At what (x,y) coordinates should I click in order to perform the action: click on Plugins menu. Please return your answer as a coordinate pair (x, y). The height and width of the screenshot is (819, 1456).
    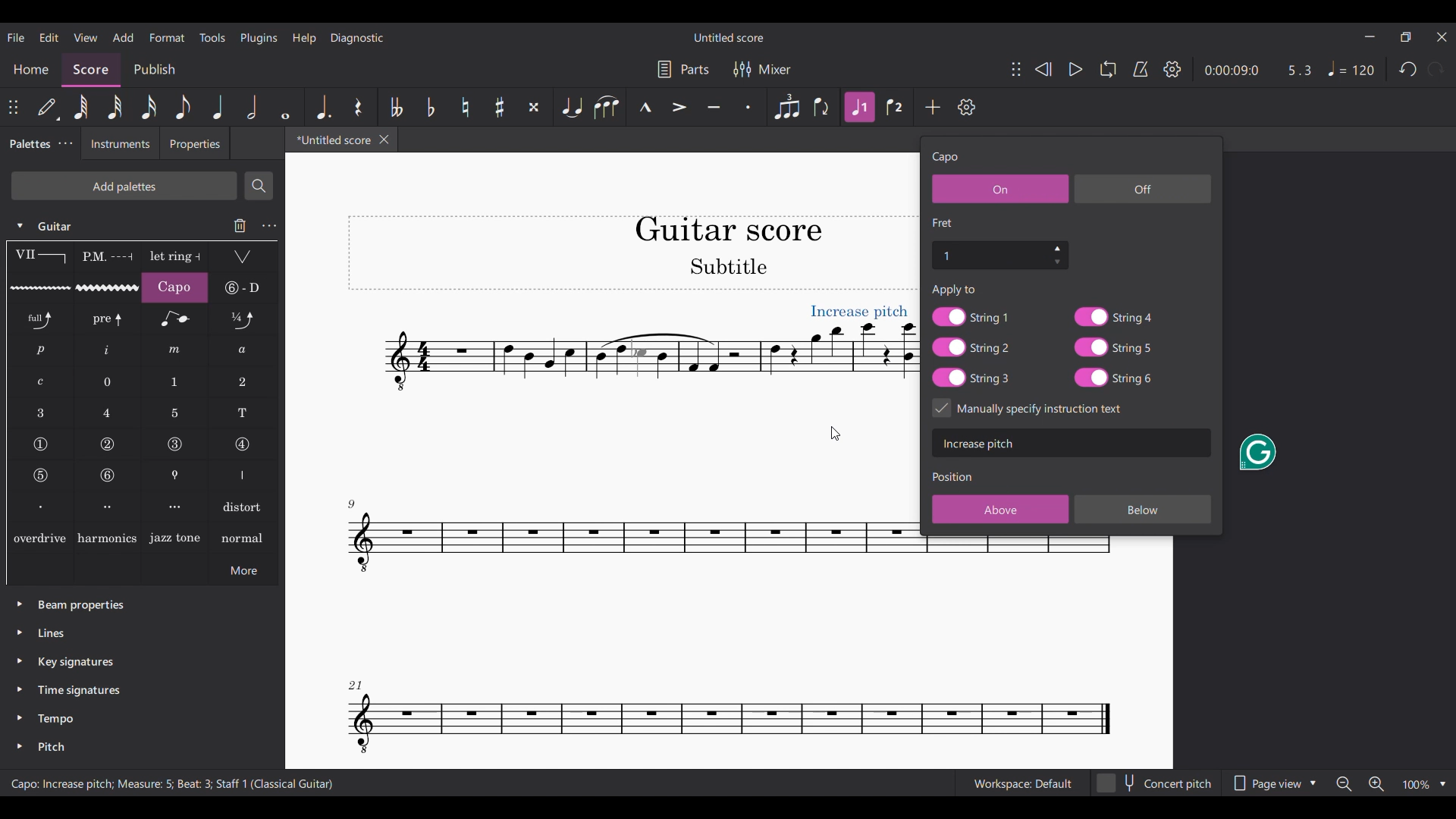
    Looking at the image, I should click on (259, 39).